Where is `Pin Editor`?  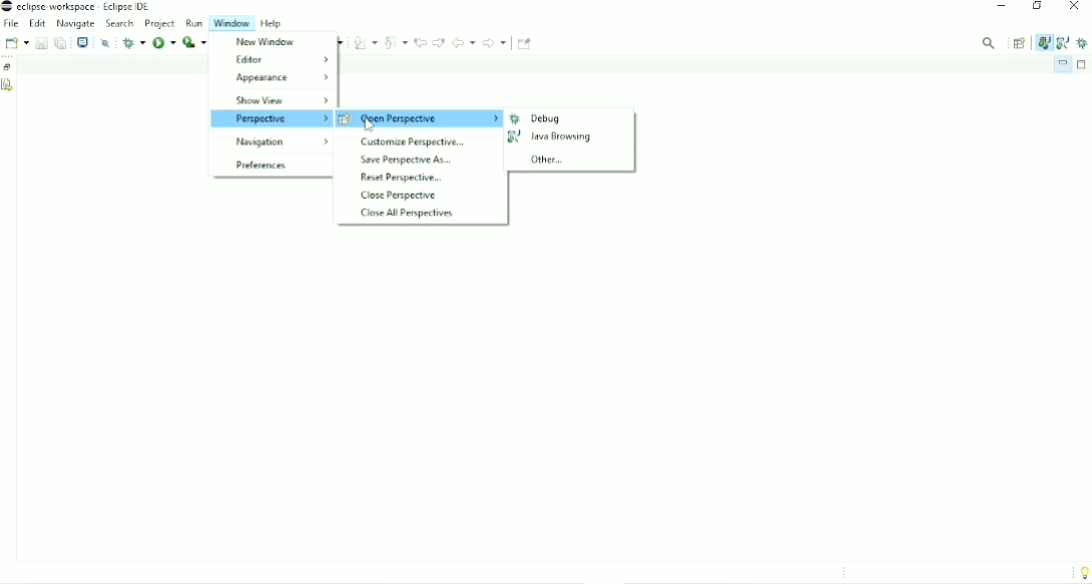
Pin Editor is located at coordinates (525, 43).